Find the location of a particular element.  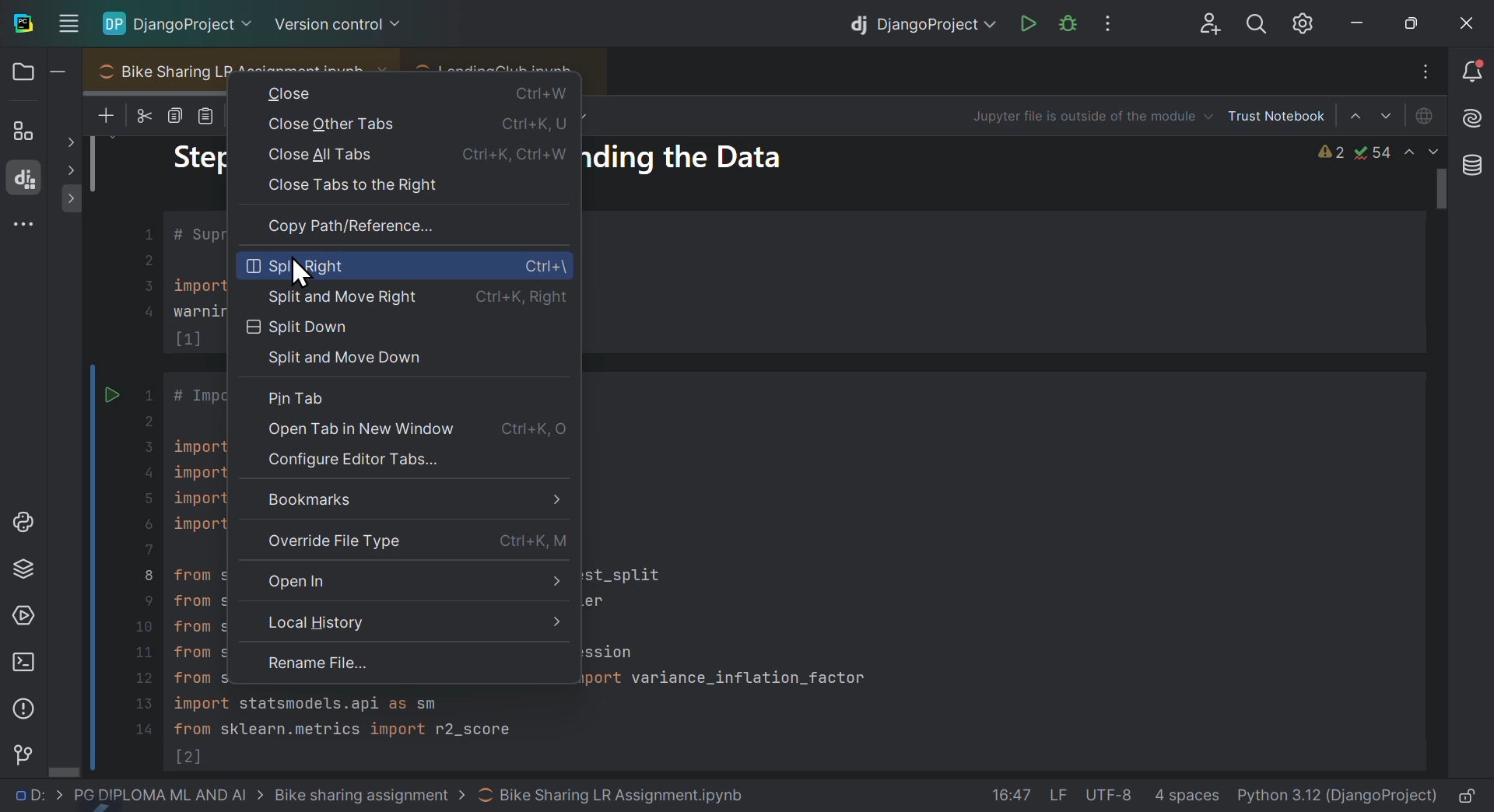

code is located at coordinates (1002, 474).